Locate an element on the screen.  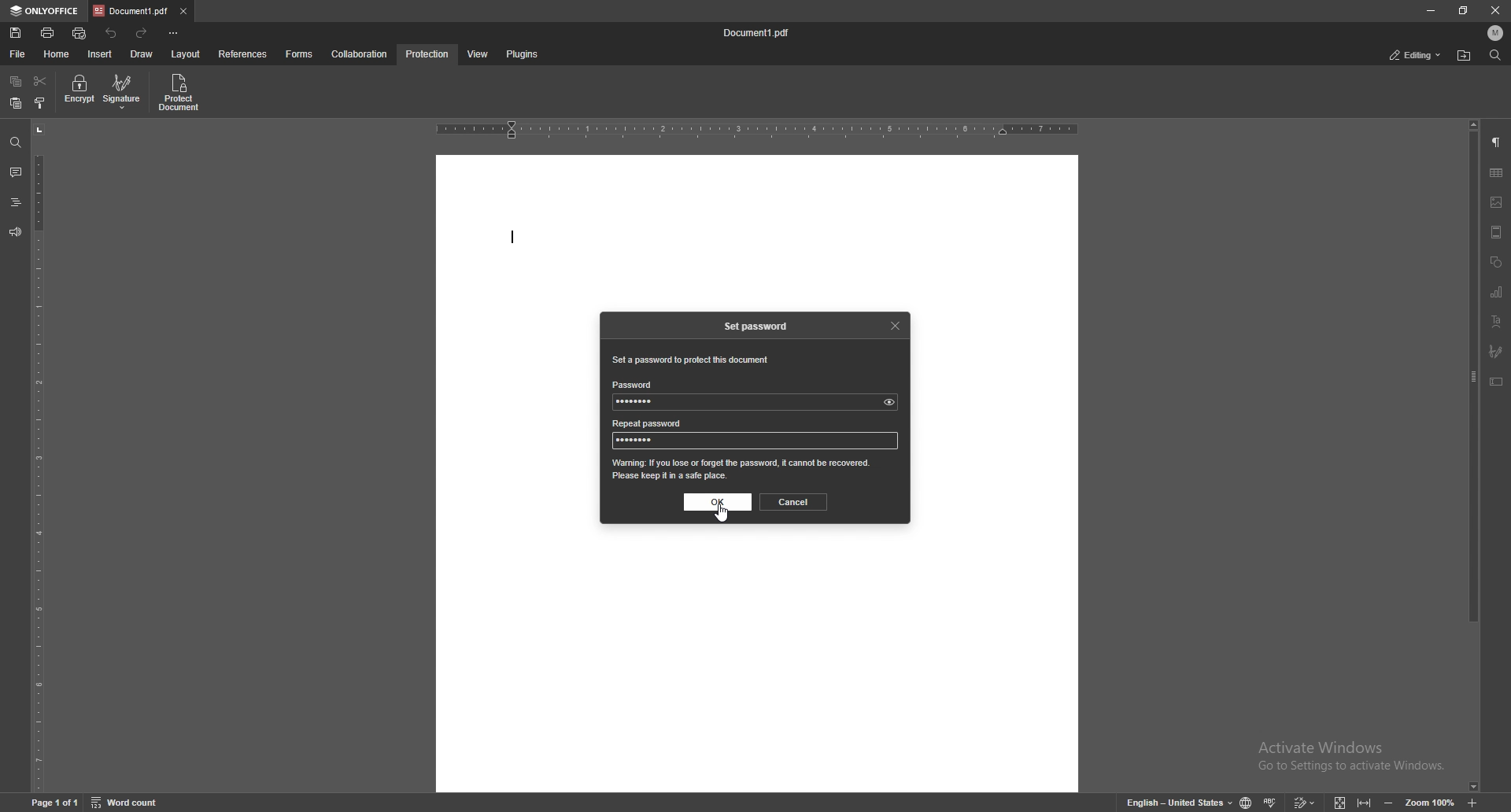
copy style is located at coordinates (40, 102).